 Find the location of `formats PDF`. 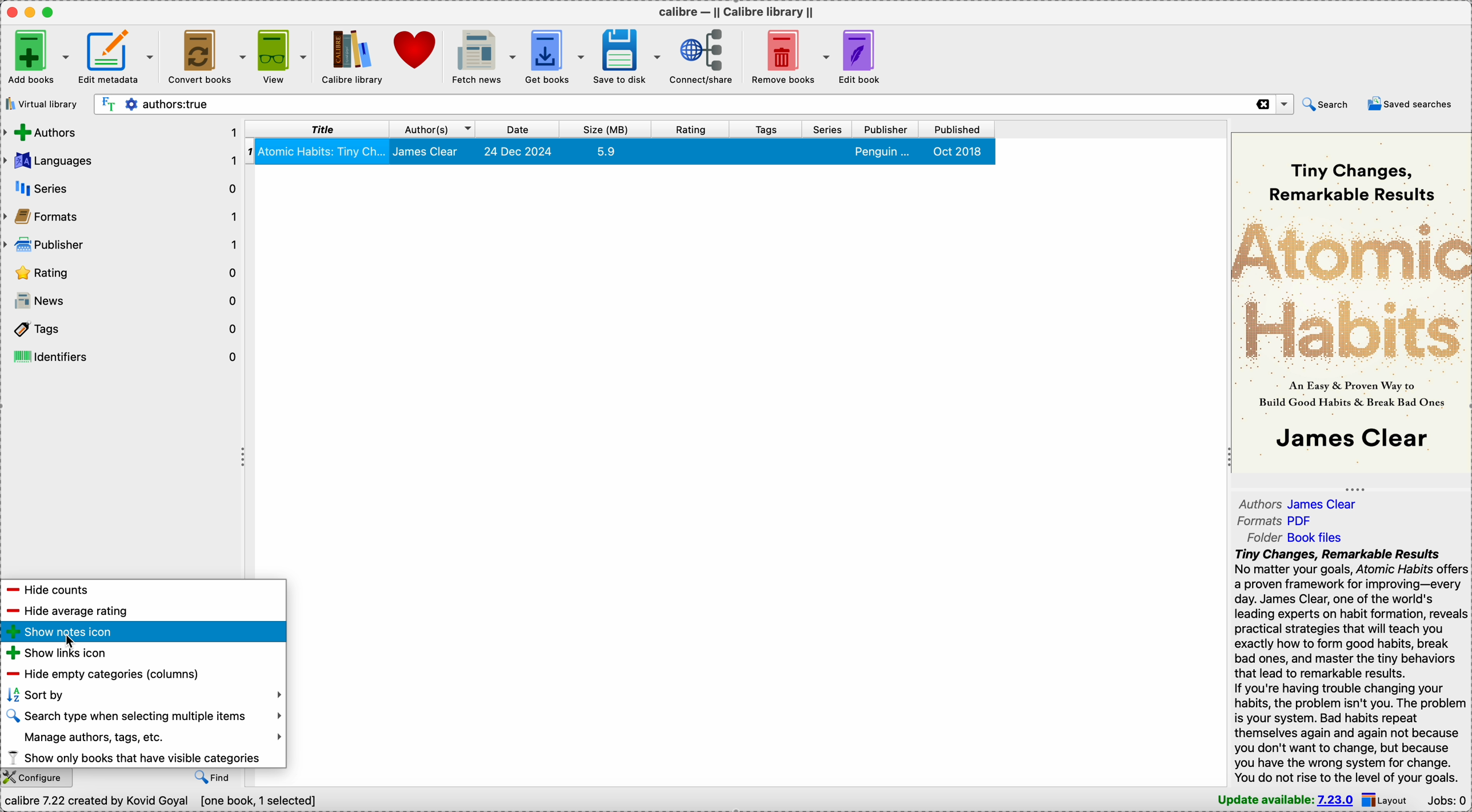

formats PDF is located at coordinates (1277, 522).